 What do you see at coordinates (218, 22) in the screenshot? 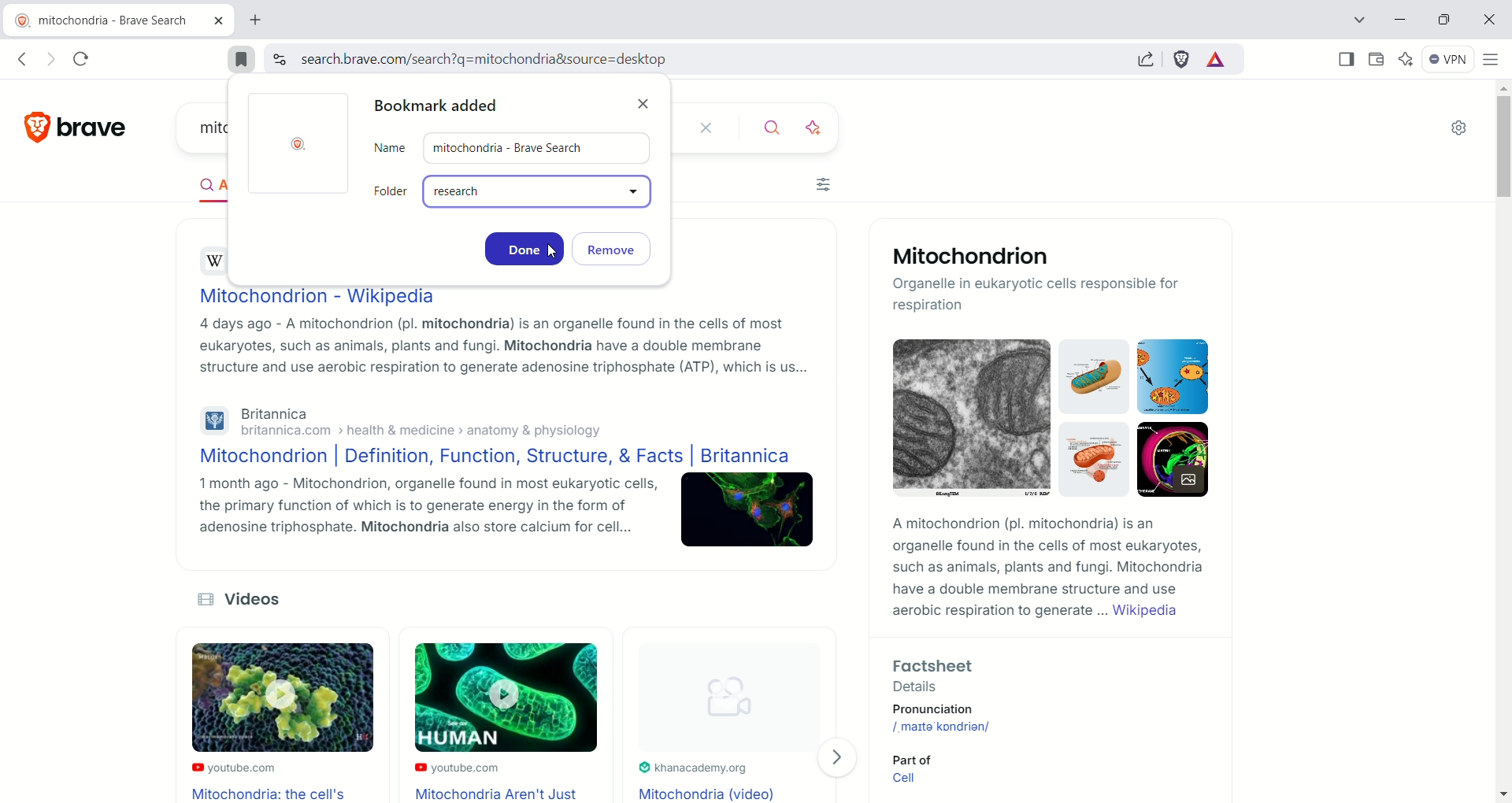
I see `close tab` at bounding box center [218, 22].